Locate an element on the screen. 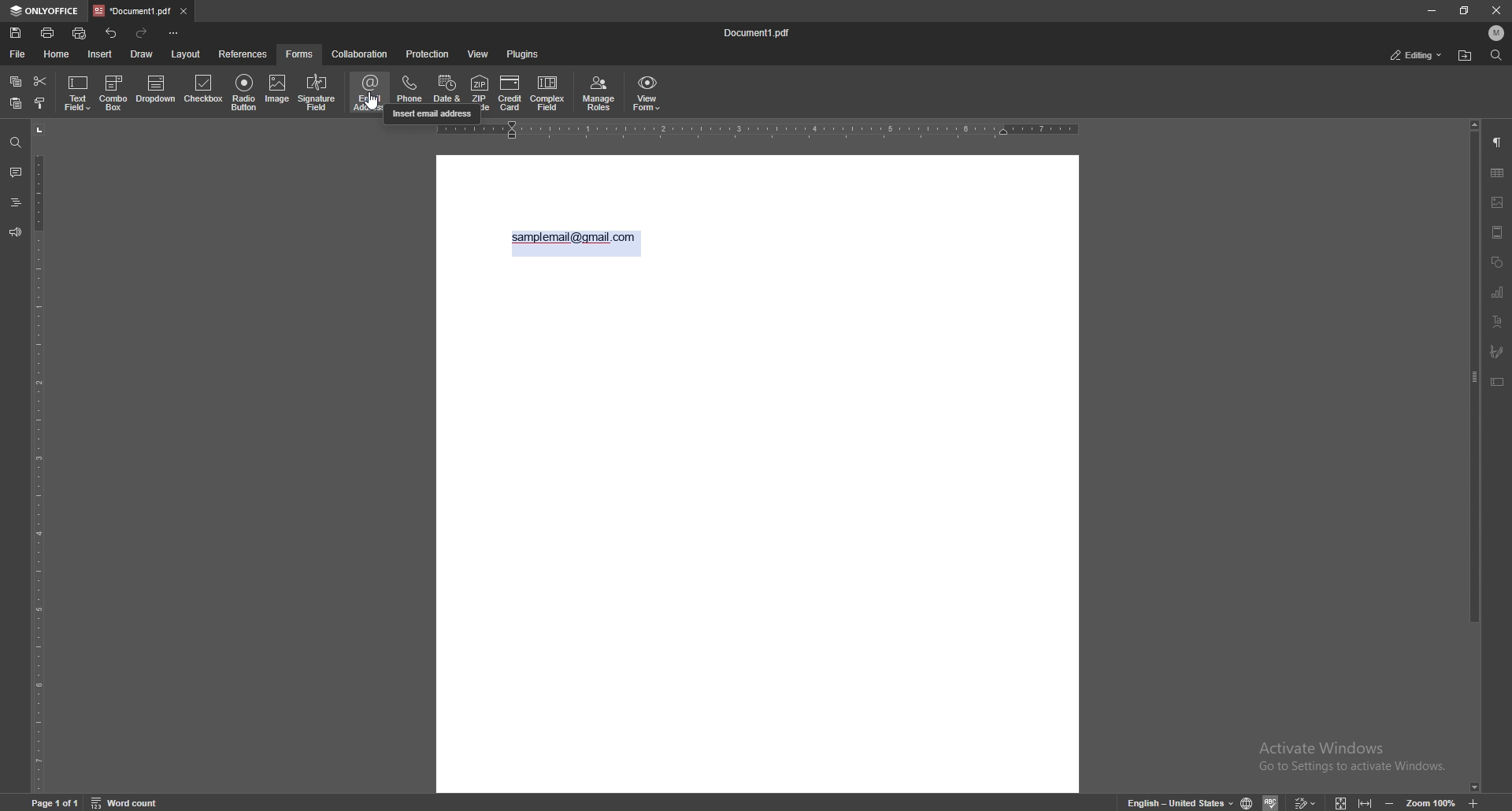 The width and height of the screenshot is (1512, 811). resize is located at coordinates (1465, 9).